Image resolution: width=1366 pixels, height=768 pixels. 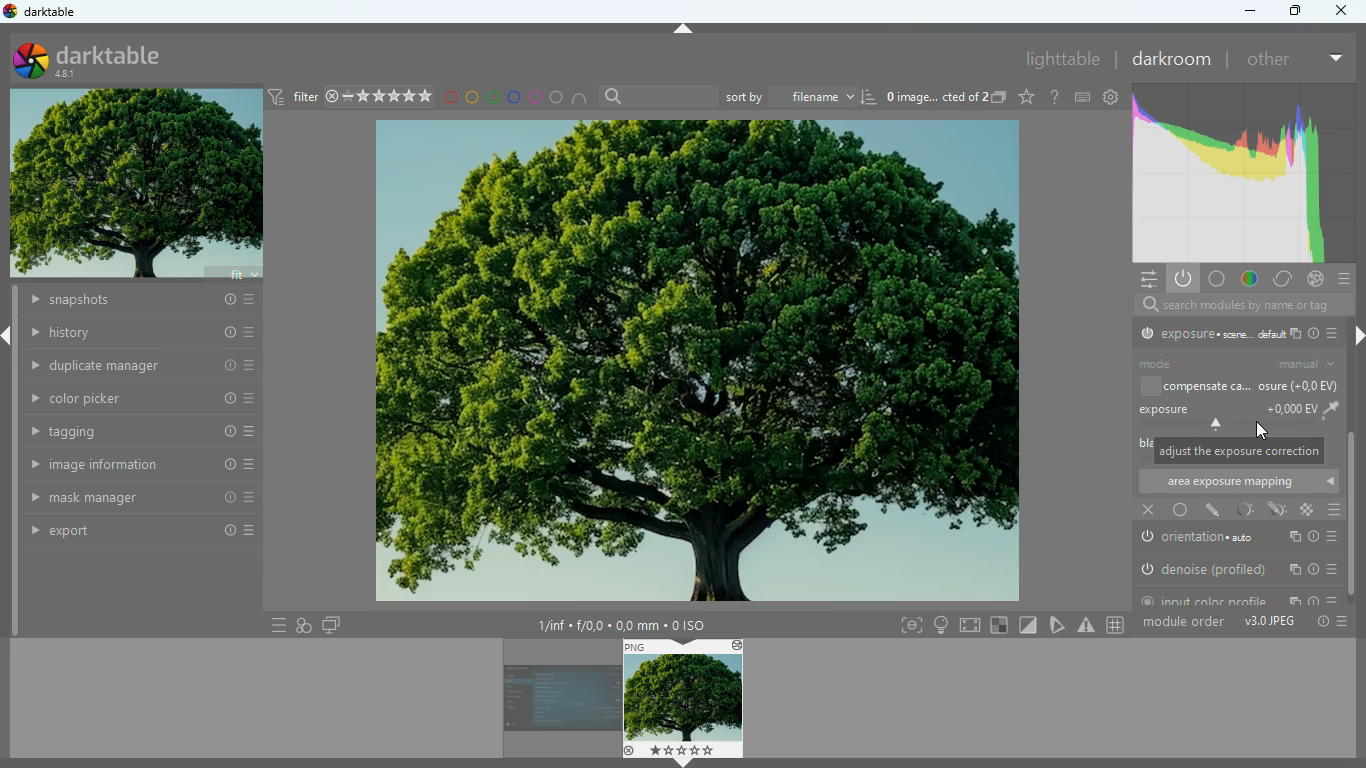 What do you see at coordinates (1318, 621) in the screenshot?
I see `info` at bounding box center [1318, 621].